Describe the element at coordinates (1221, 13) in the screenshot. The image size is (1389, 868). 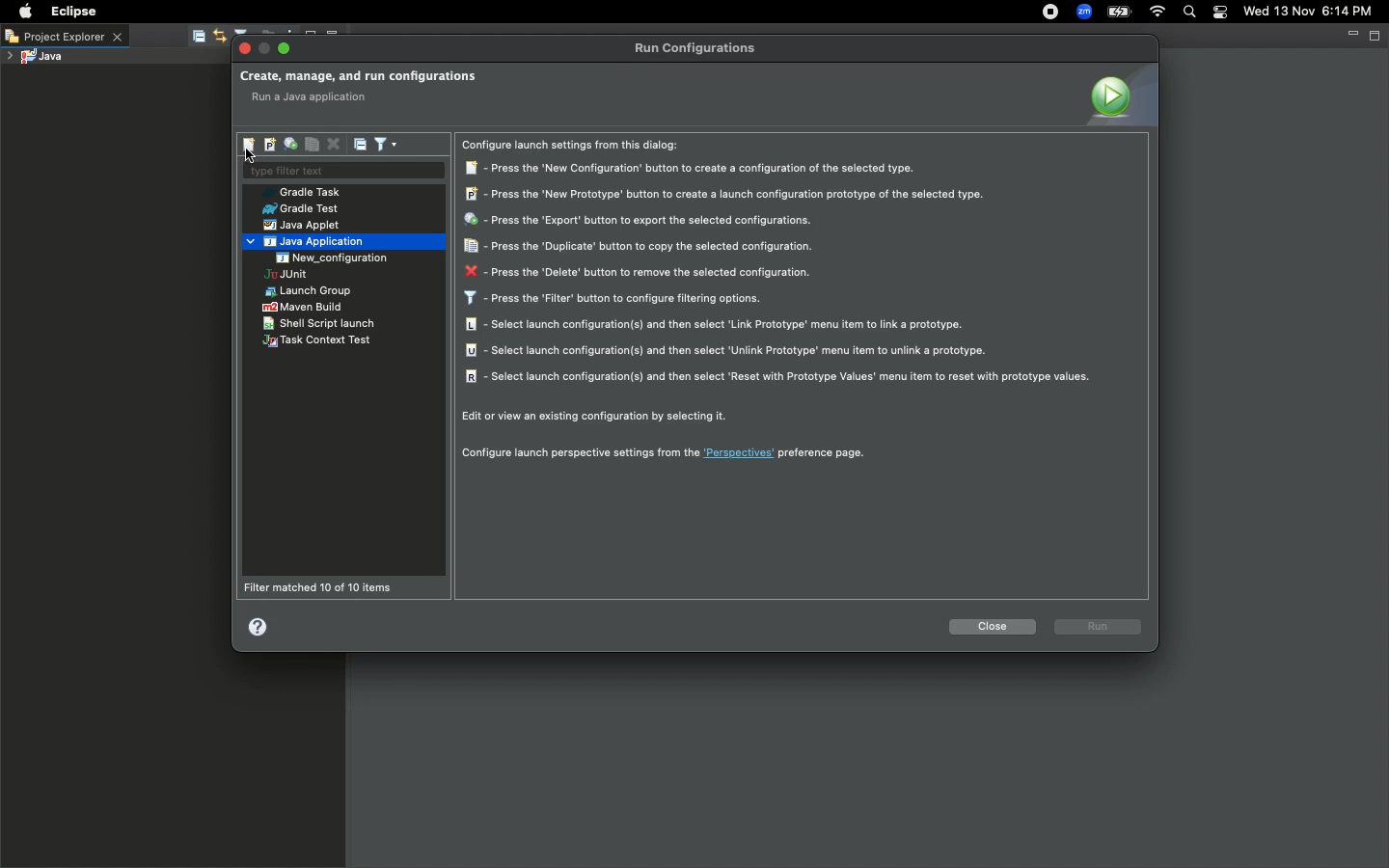
I see `Notification` at that location.